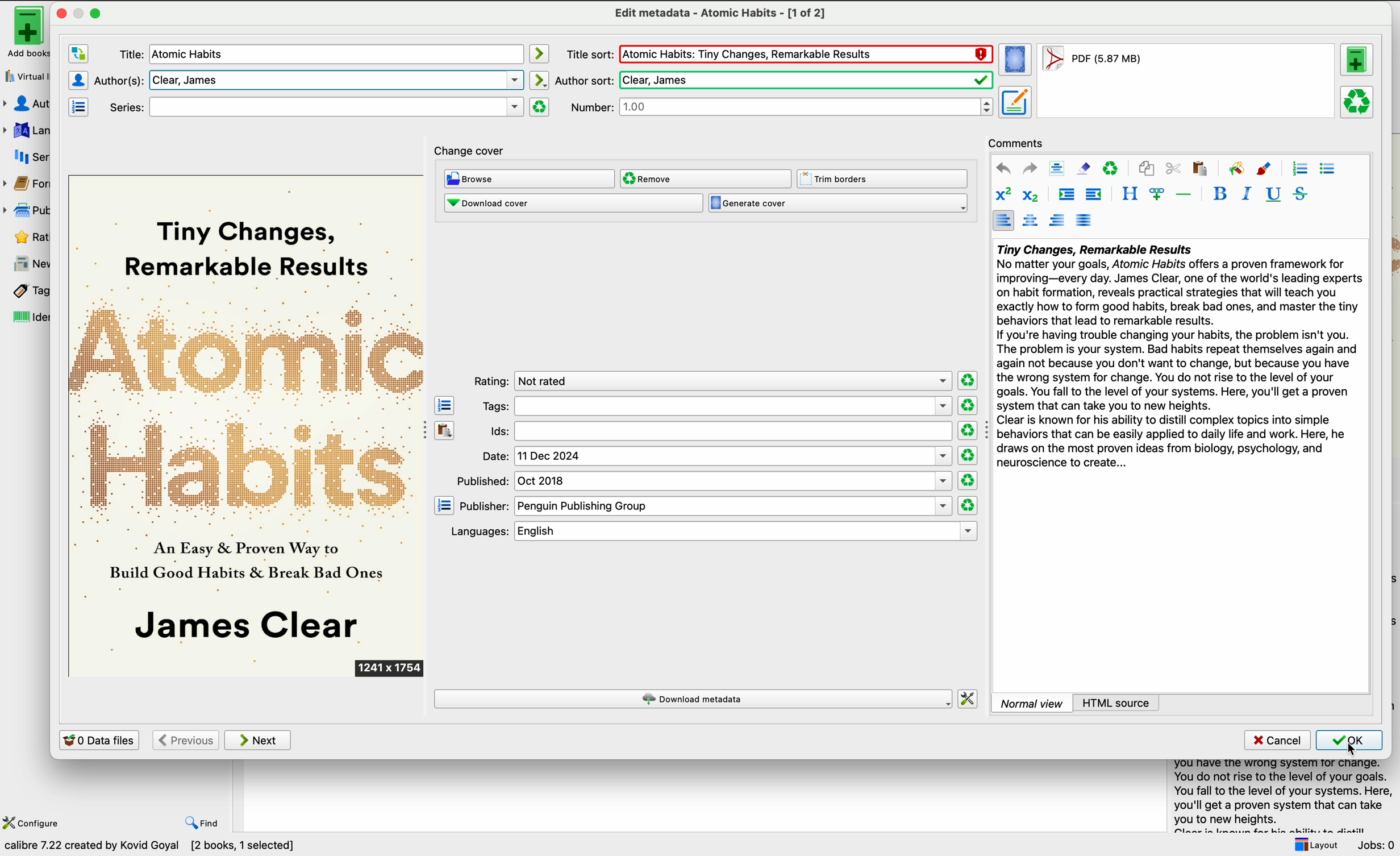  I want to click on align justified, so click(1085, 220).